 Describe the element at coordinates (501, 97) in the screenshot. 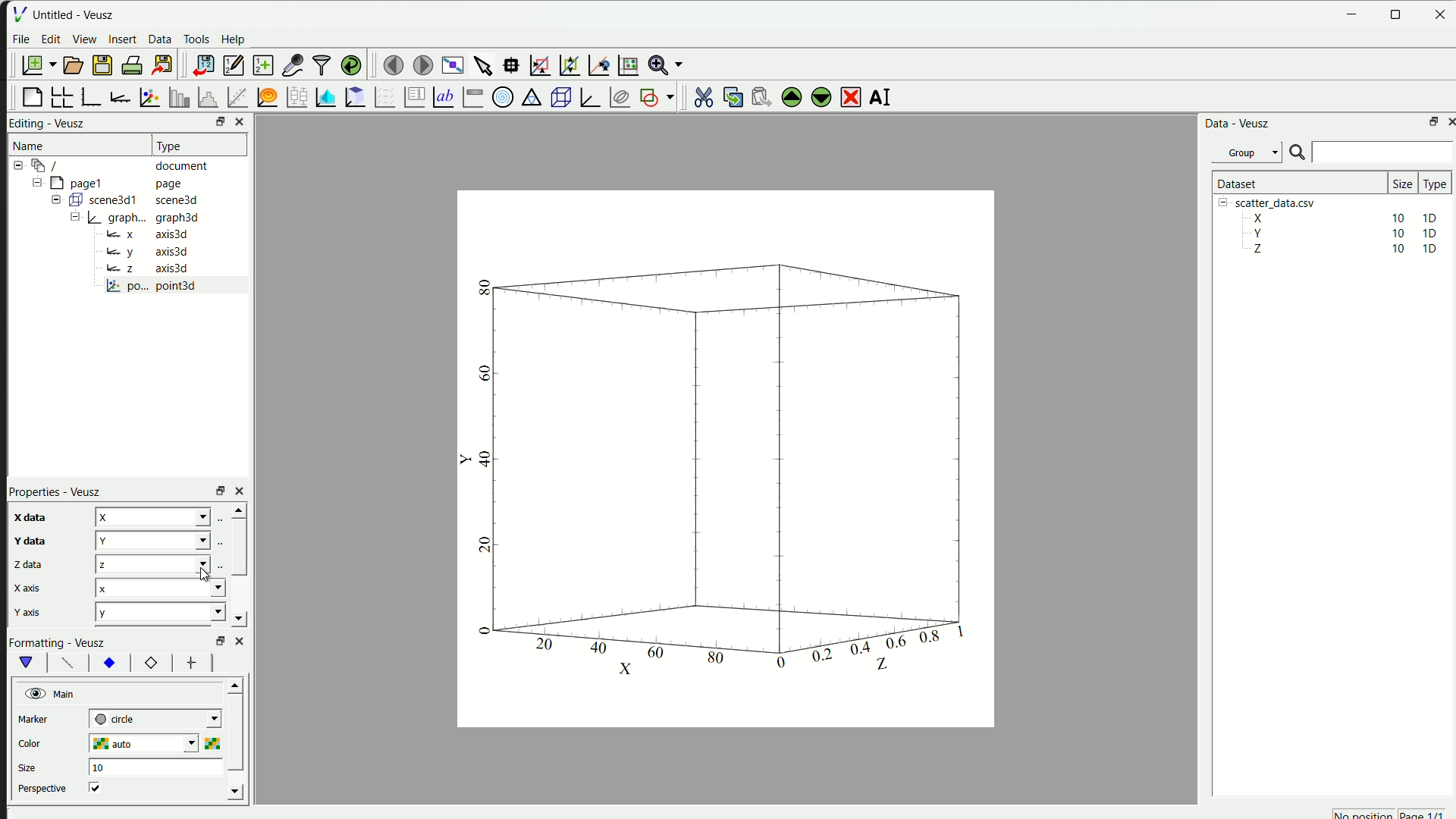

I see `Polar Graph` at that location.